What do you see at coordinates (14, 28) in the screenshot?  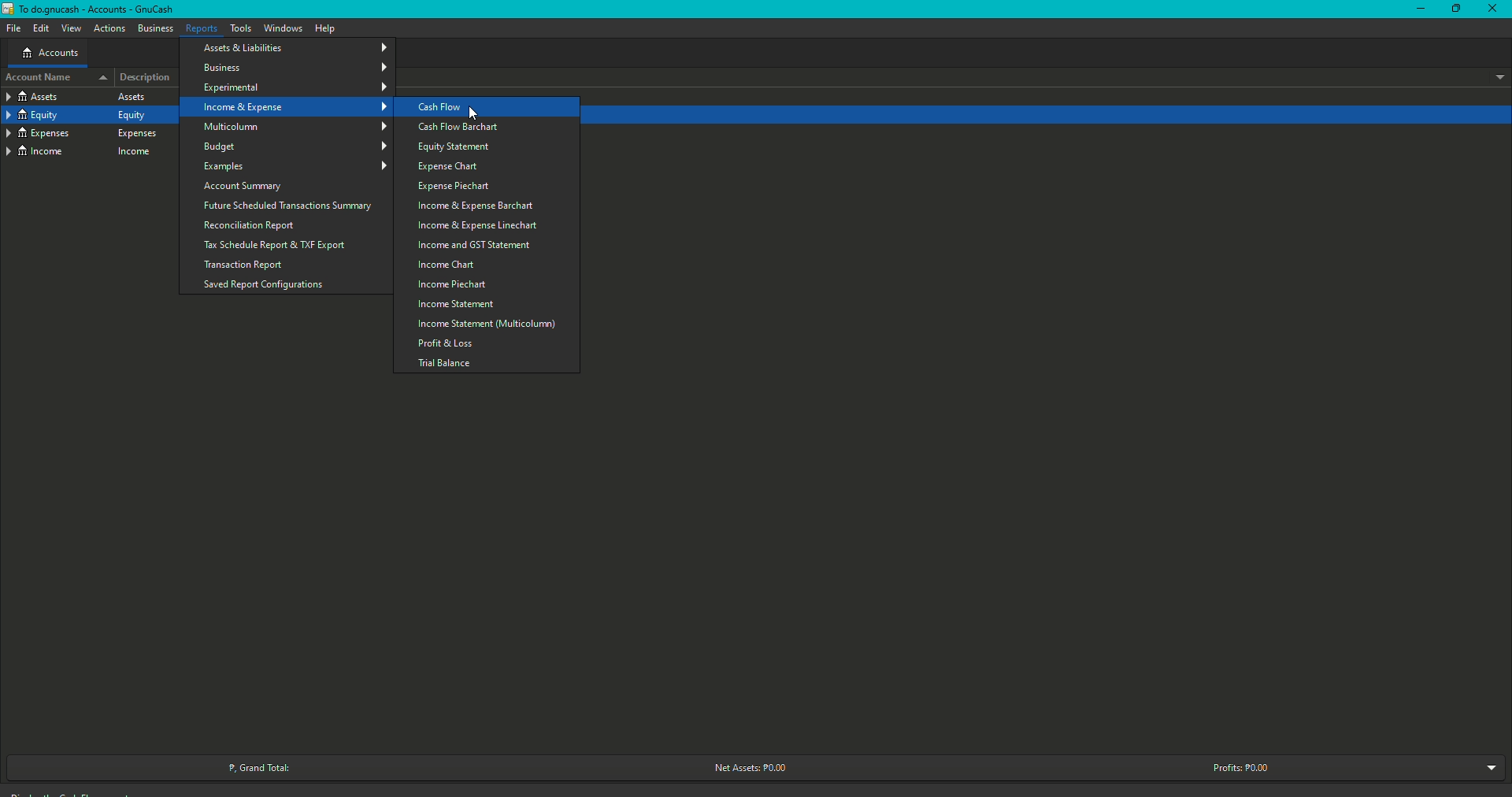 I see `File` at bounding box center [14, 28].